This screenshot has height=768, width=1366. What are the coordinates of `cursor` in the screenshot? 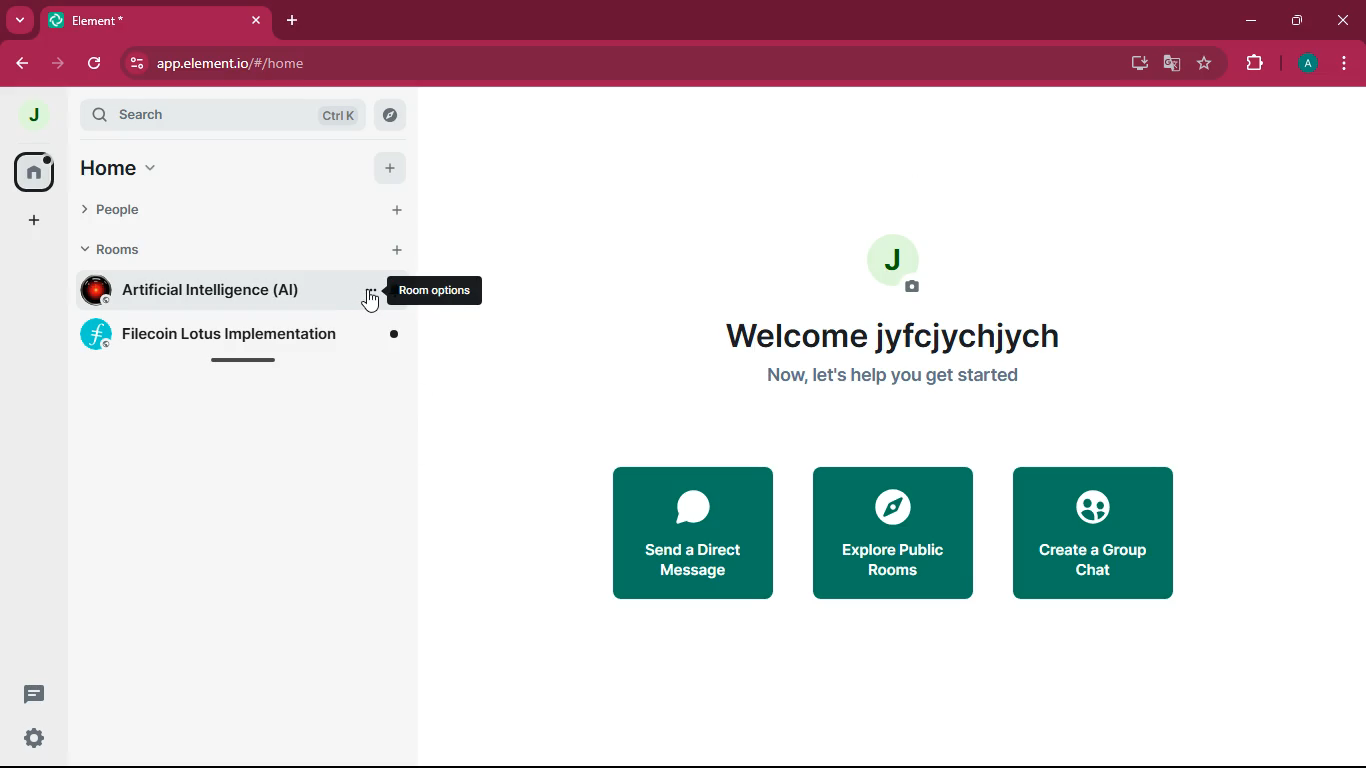 It's located at (373, 300).